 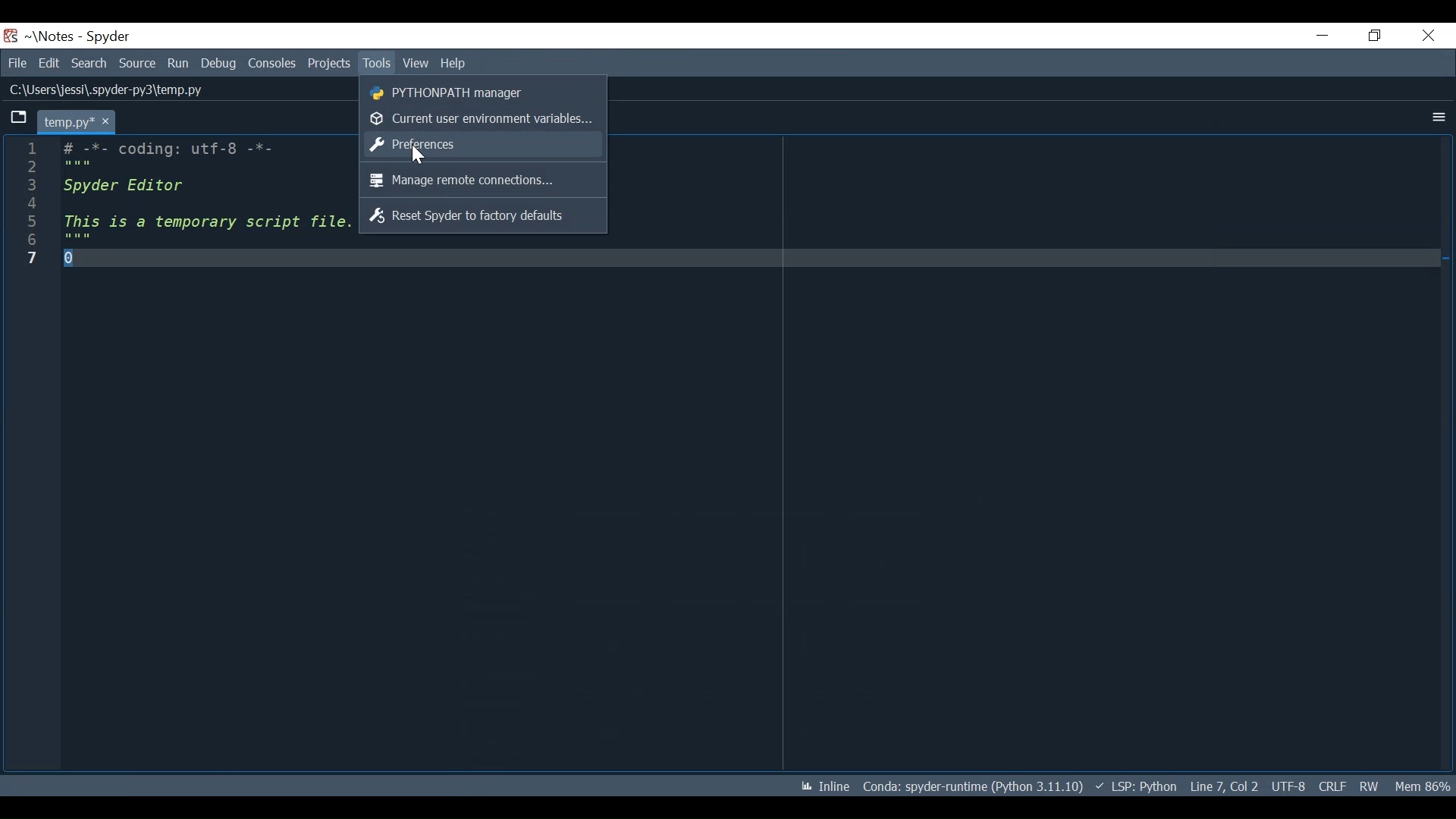 What do you see at coordinates (1225, 786) in the screenshot?
I see `cursor position` at bounding box center [1225, 786].